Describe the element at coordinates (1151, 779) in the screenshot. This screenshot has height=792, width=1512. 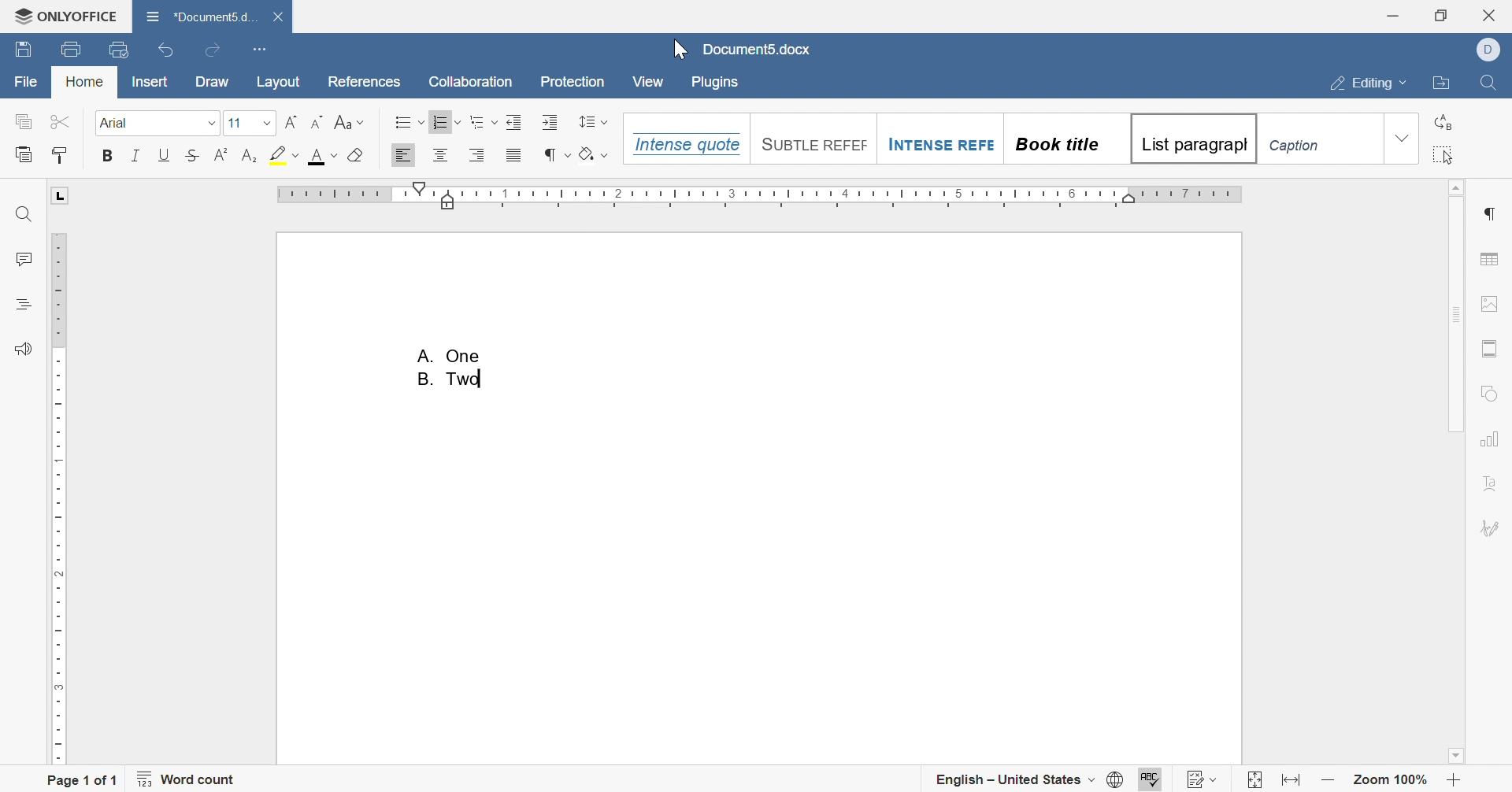
I see `spell checking` at that location.